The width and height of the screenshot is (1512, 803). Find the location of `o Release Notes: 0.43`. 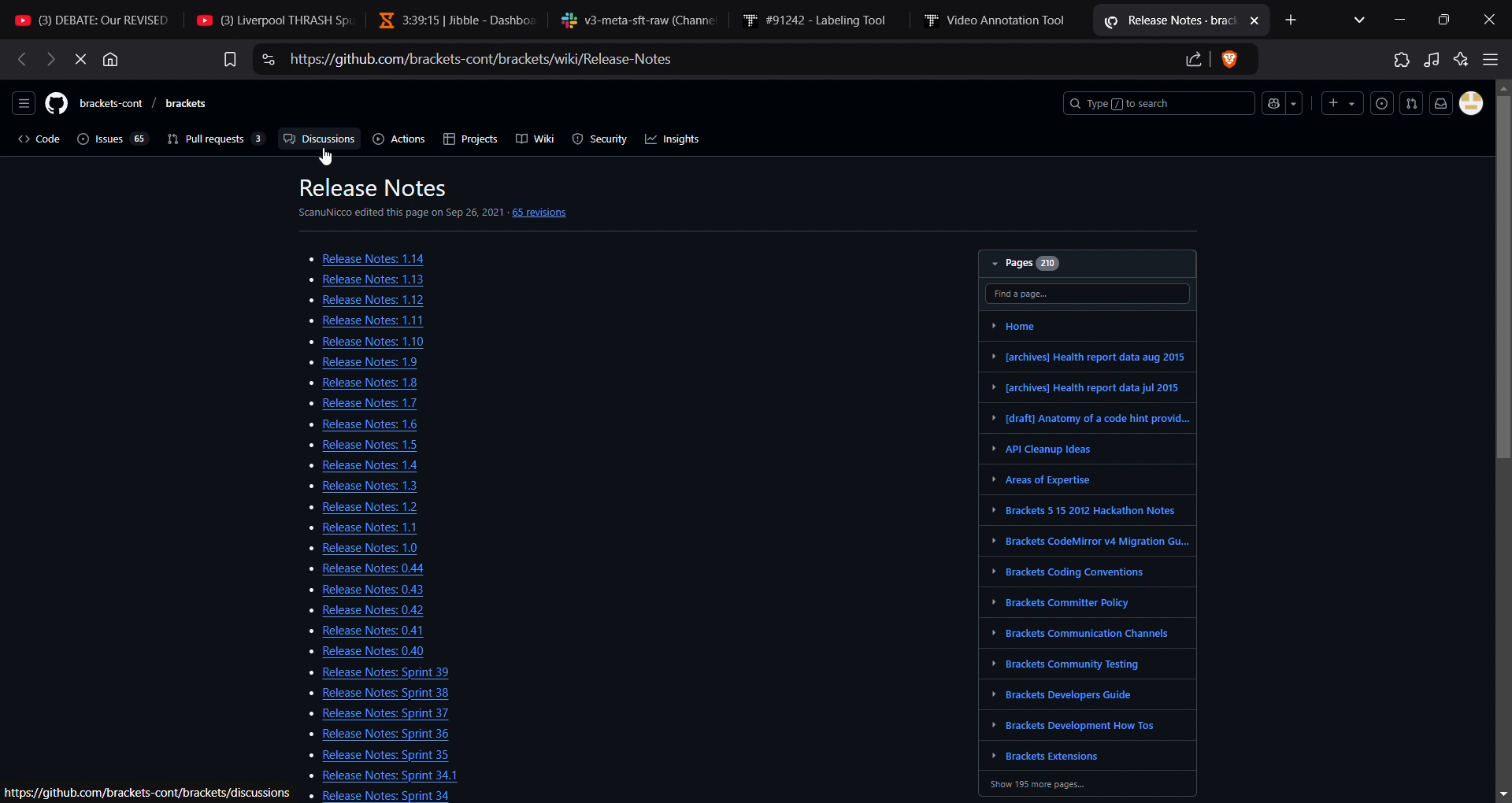

o Release Notes: 0.43 is located at coordinates (361, 590).